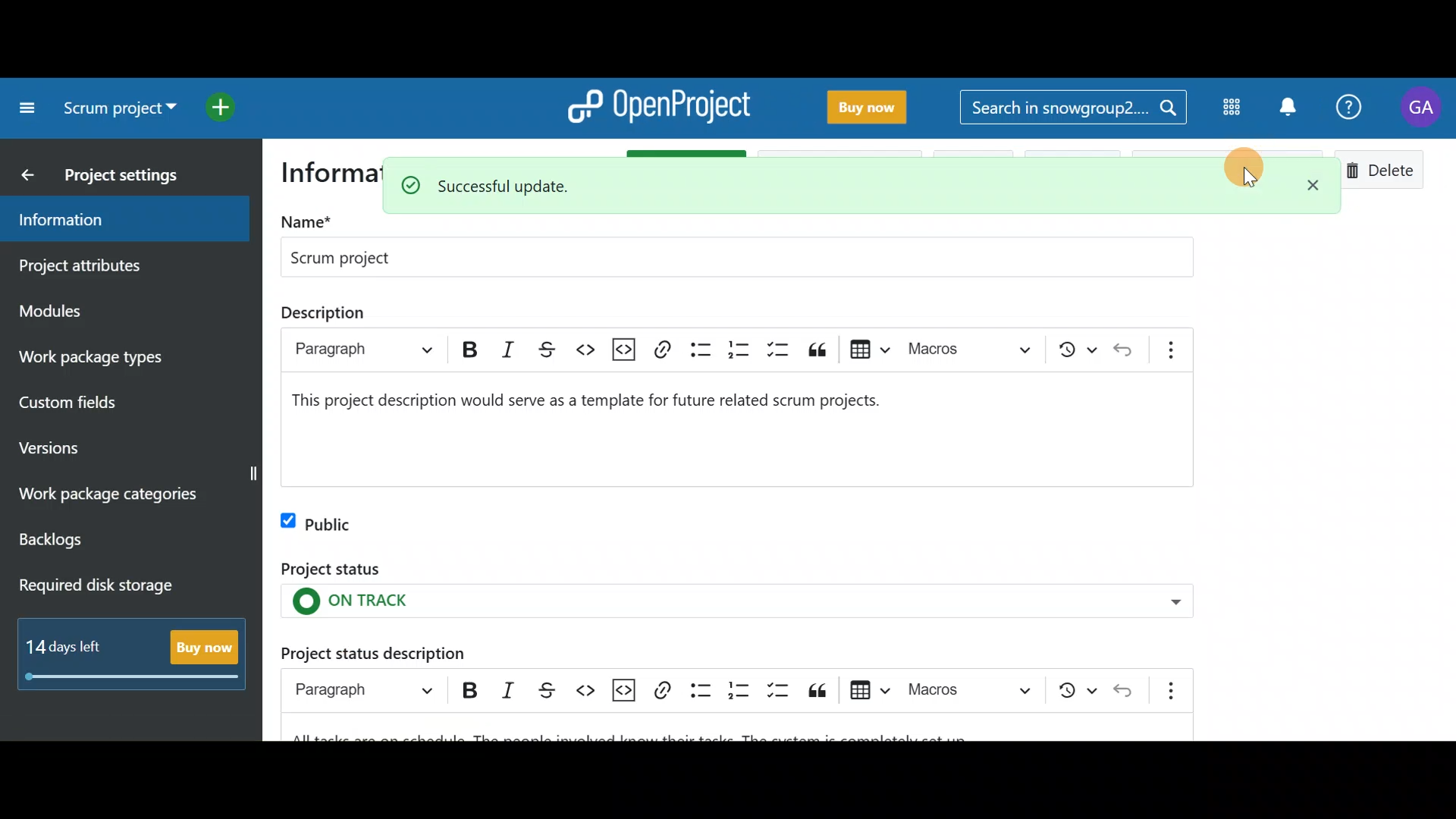  What do you see at coordinates (323, 313) in the screenshot?
I see `description` at bounding box center [323, 313].